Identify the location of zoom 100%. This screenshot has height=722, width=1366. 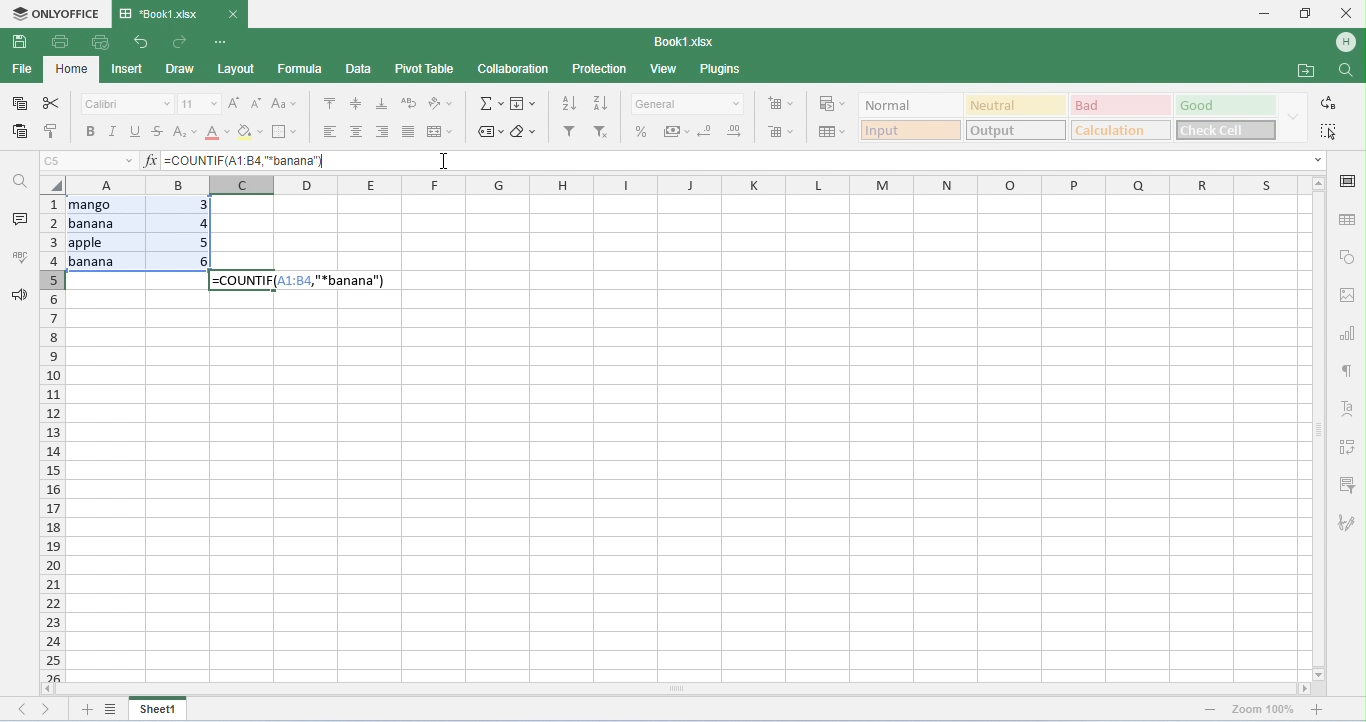
(1263, 710).